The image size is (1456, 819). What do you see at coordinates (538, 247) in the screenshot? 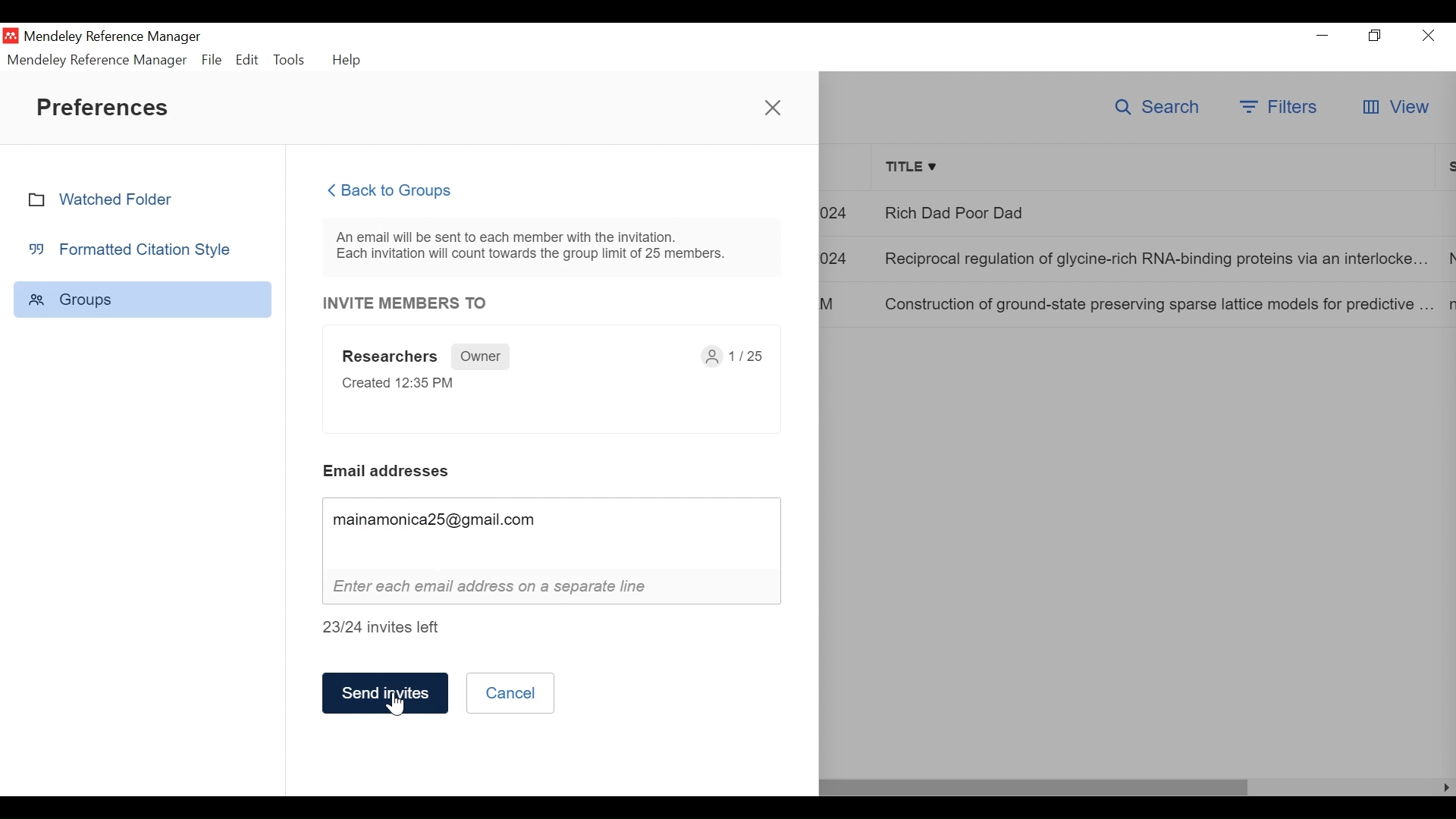
I see `An email will be sent to each member with the invitation.
Each invitation will count towards the group limit of 25 members.` at bounding box center [538, 247].